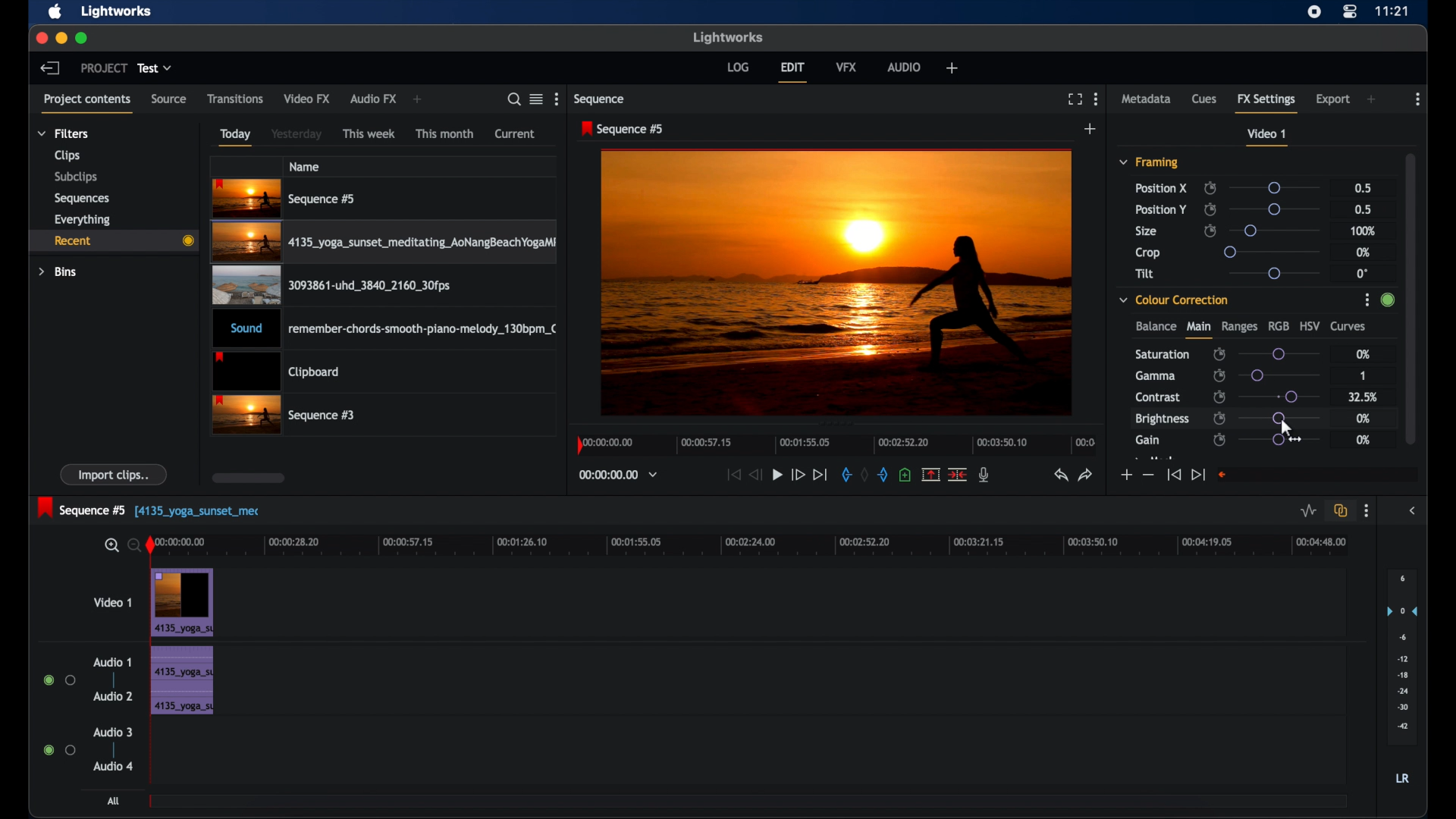 The height and width of the screenshot is (819, 1456). Describe the element at coordinates (1362, 274) in the screenshot. I see `0` at that location.